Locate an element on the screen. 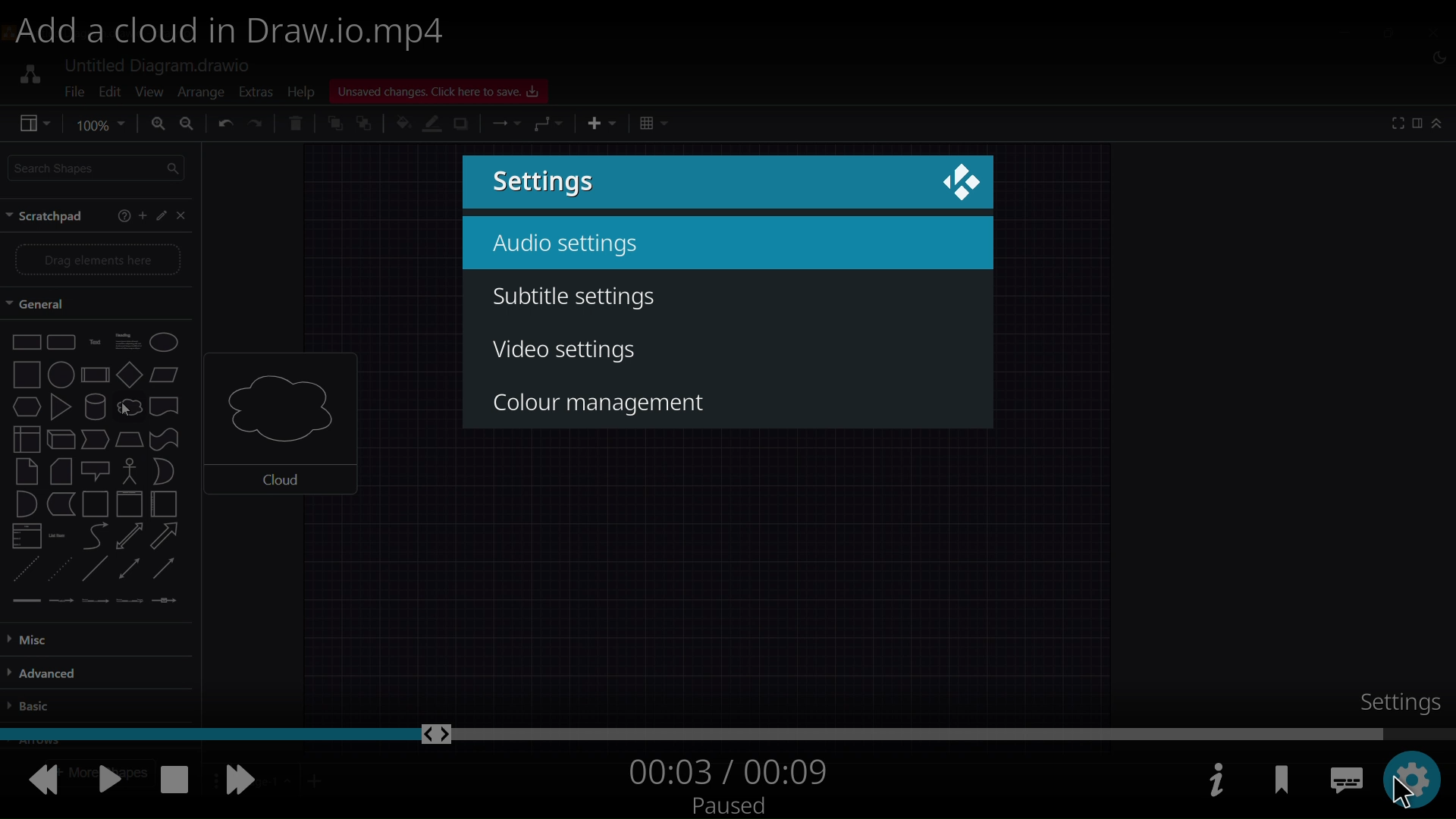 This screenshot has height=819, width=1456. color management is located at coordinates (596, 403).